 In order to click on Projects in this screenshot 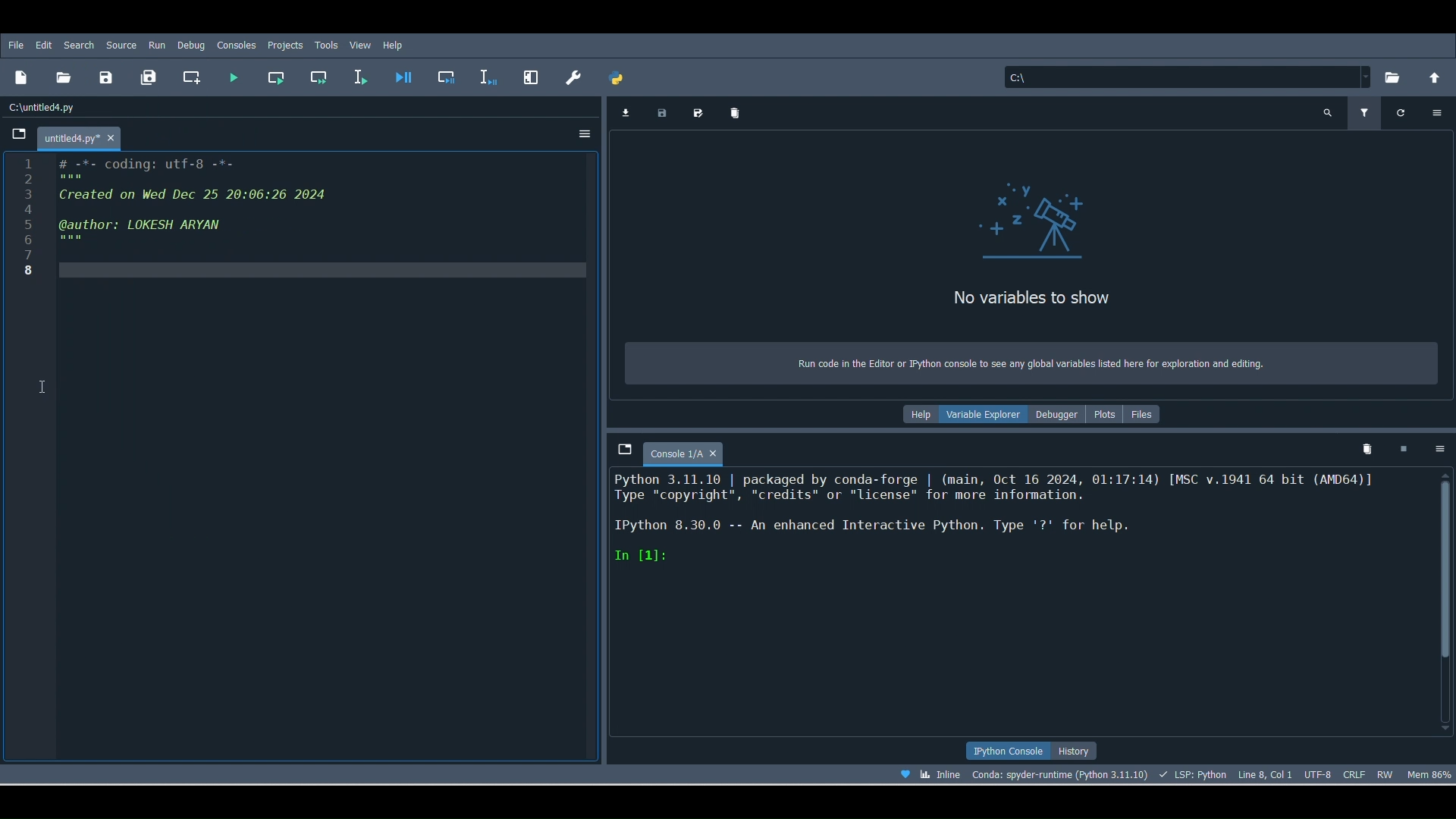, I will do `click(285, 46)`.